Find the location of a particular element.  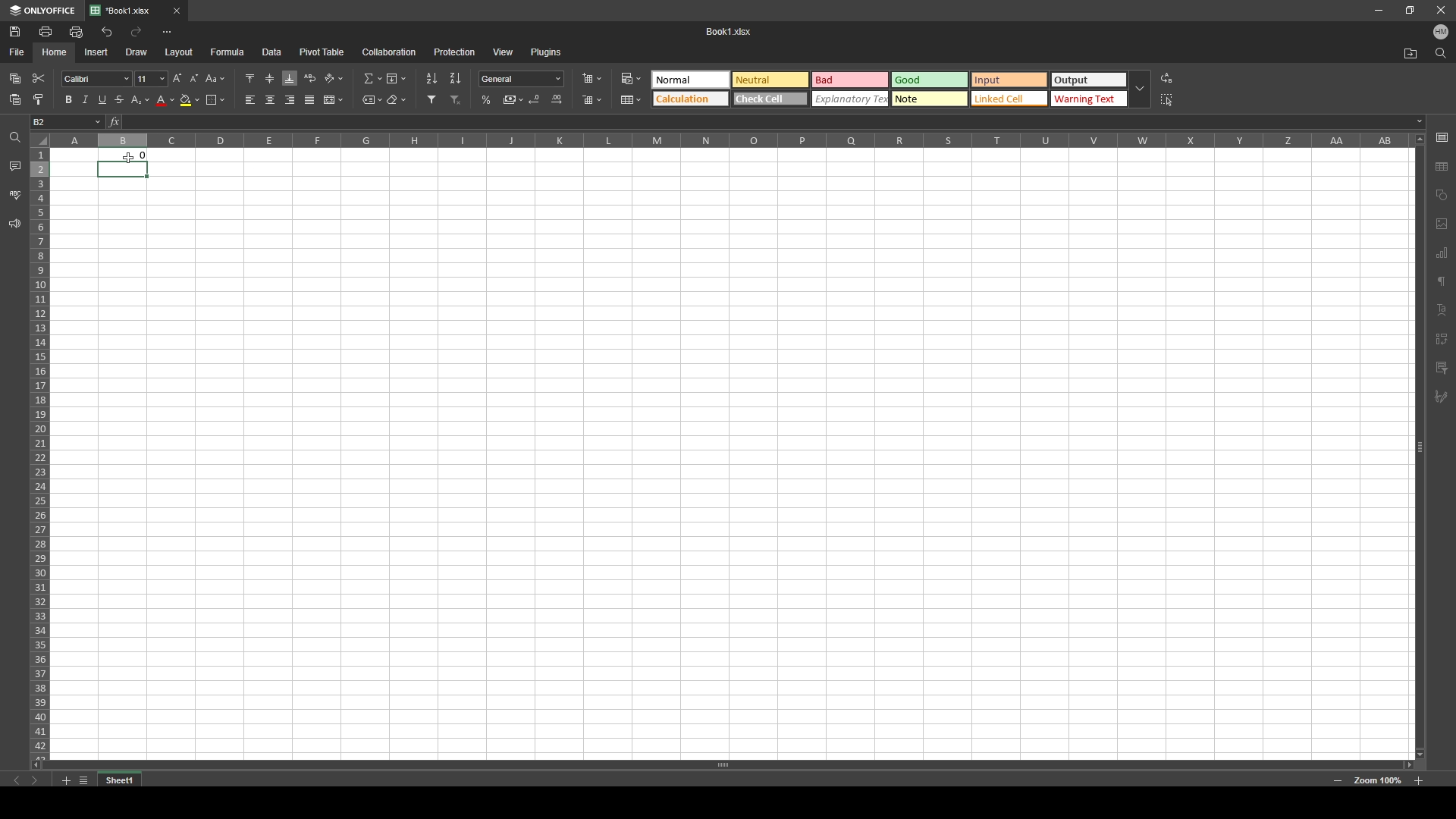

insert cells is located at coordinates (591, 80).